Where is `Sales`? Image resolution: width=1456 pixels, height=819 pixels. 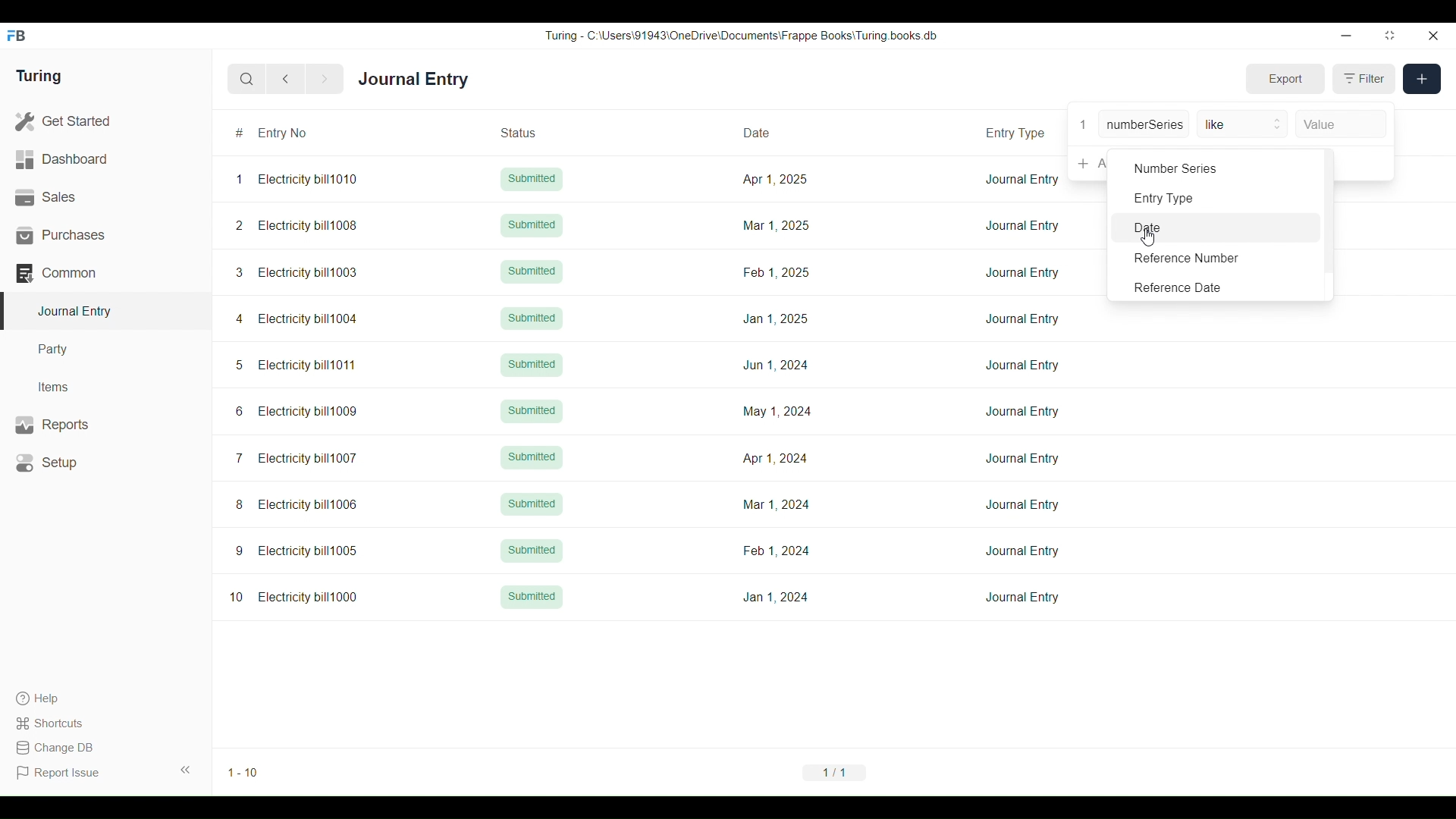
Sales is located at coordinates (105, 197).